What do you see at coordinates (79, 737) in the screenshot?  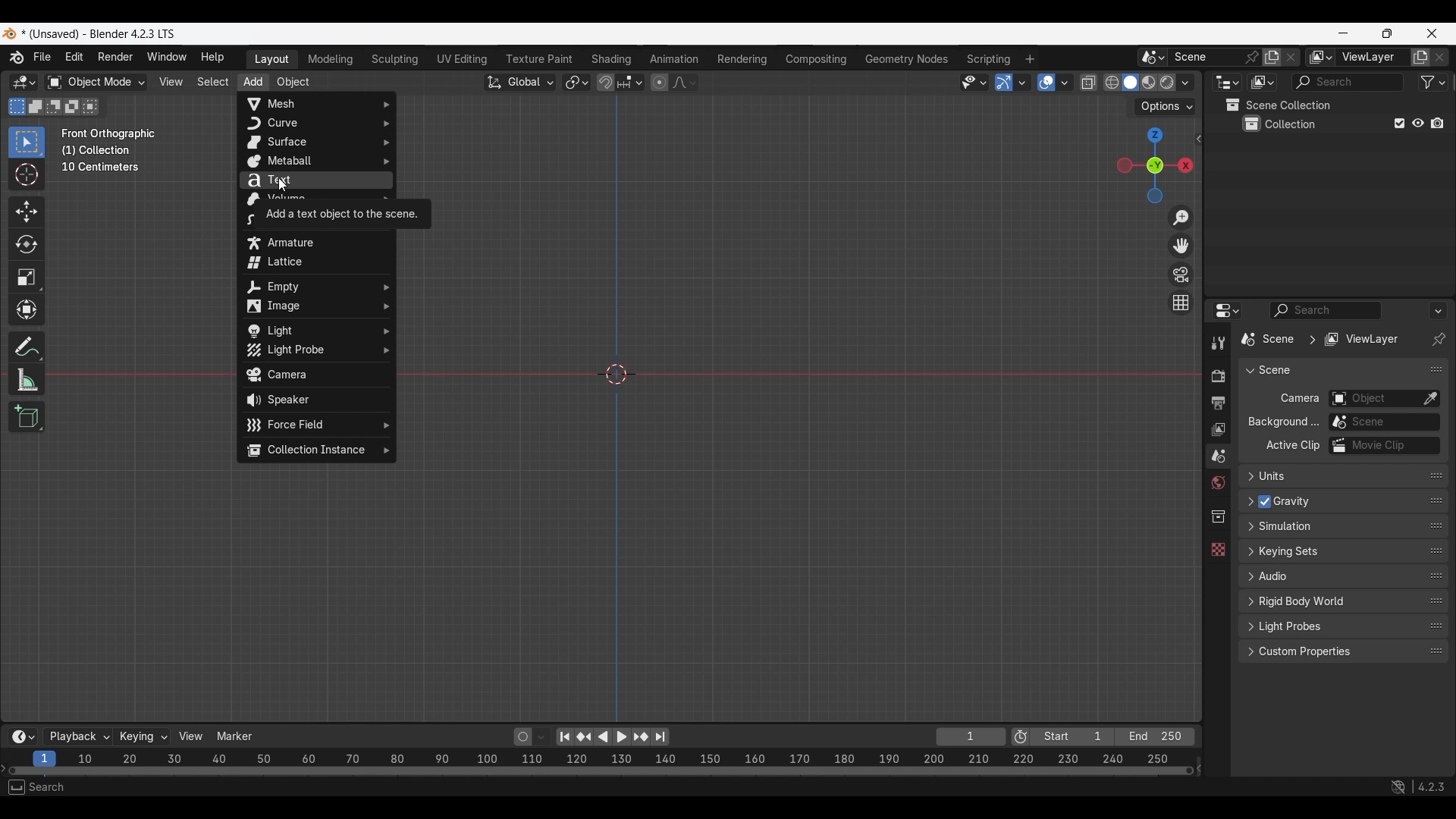 I see `Playback` at bounding box center [79, 737].